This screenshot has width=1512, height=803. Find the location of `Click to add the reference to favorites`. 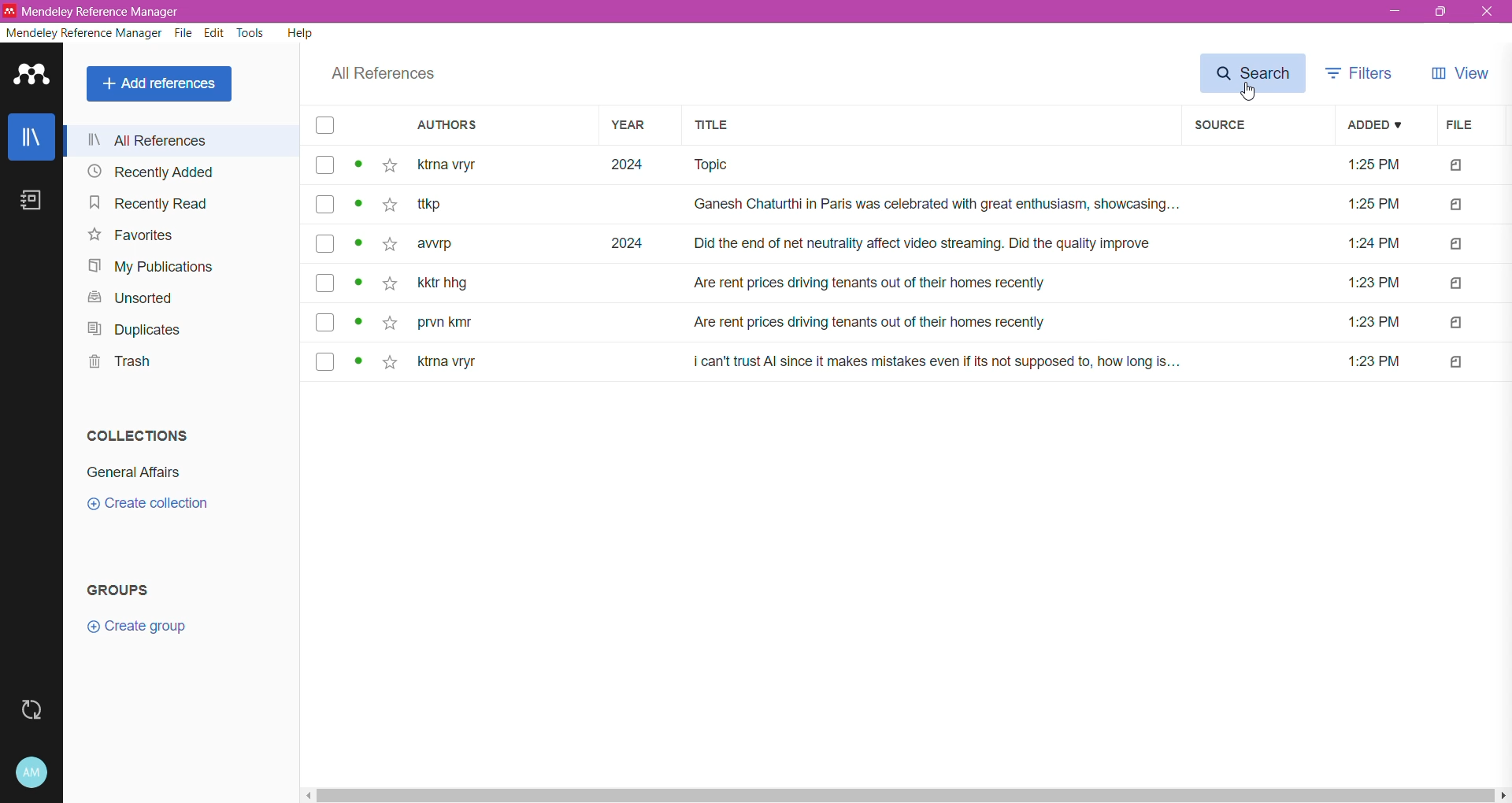

Click to add the reference to favorites is located at coordinates (390, 167).